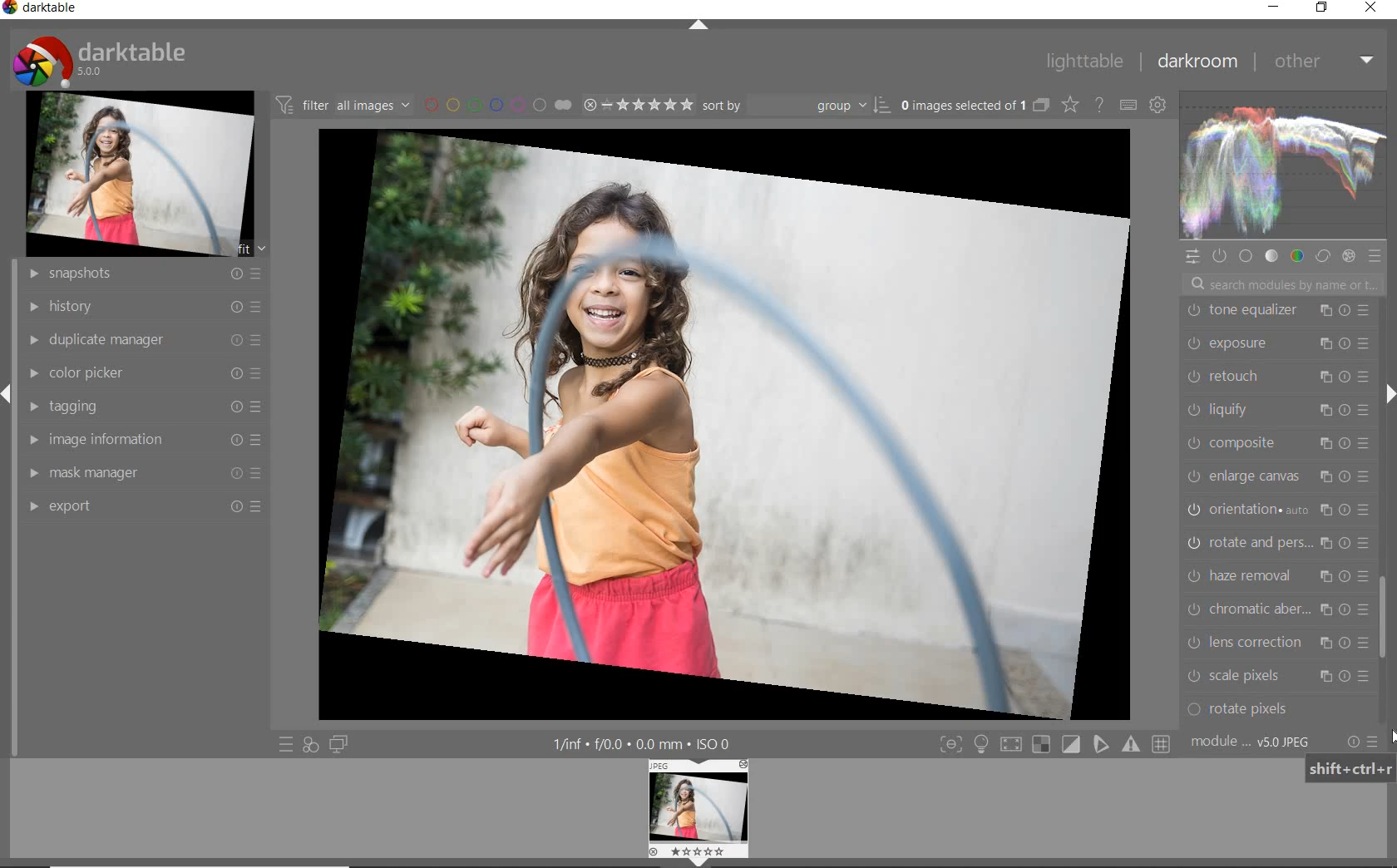 Image resolution: width=1397 pixels, height=868 pixels. What do you see at coordinates (1218, 254) in the screenshot?
I see `show only active module` at bounding box center [1218, 254].